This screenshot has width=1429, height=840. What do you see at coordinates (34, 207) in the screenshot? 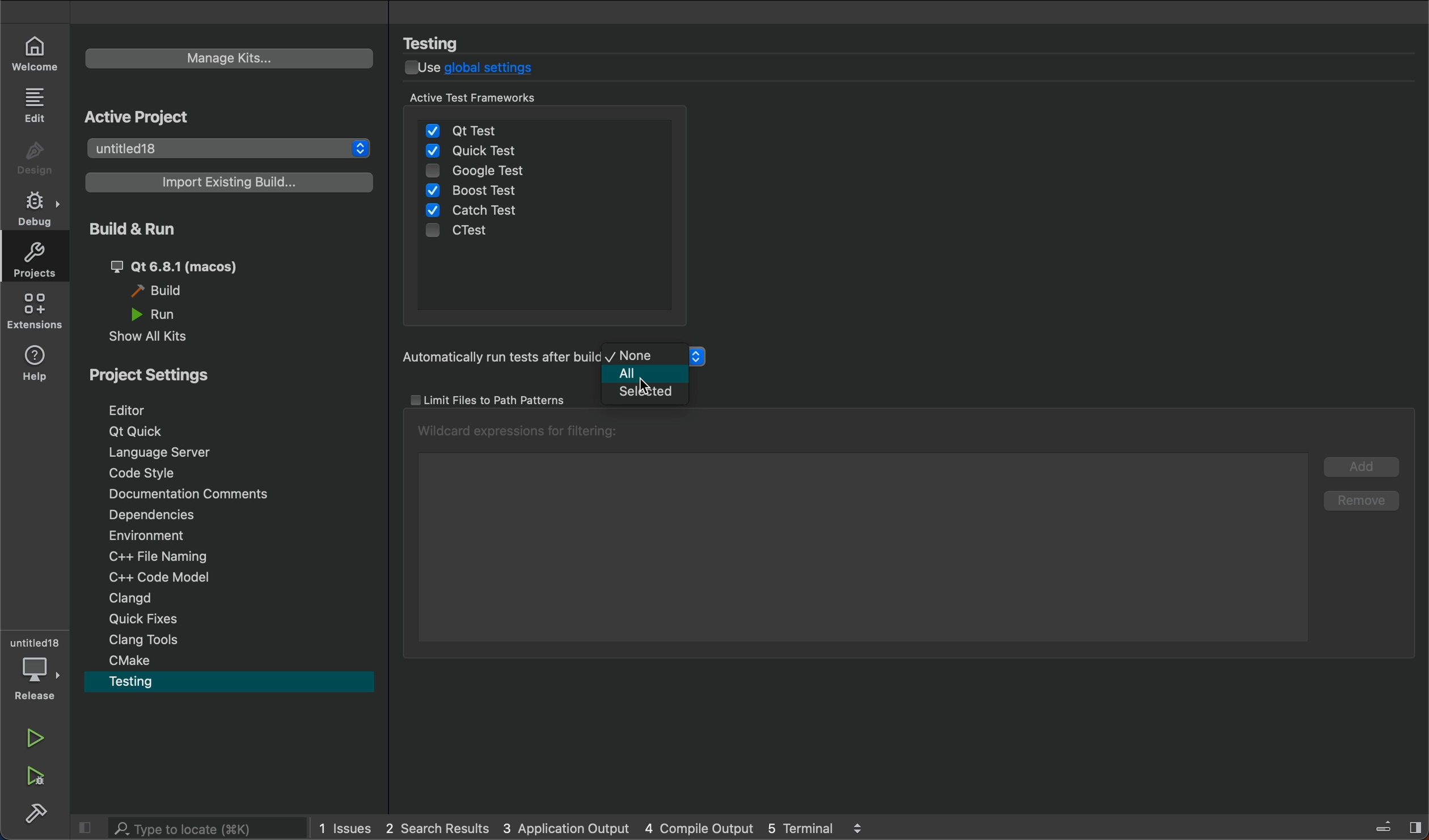
I see `debug` at bounding box center [34, 207].